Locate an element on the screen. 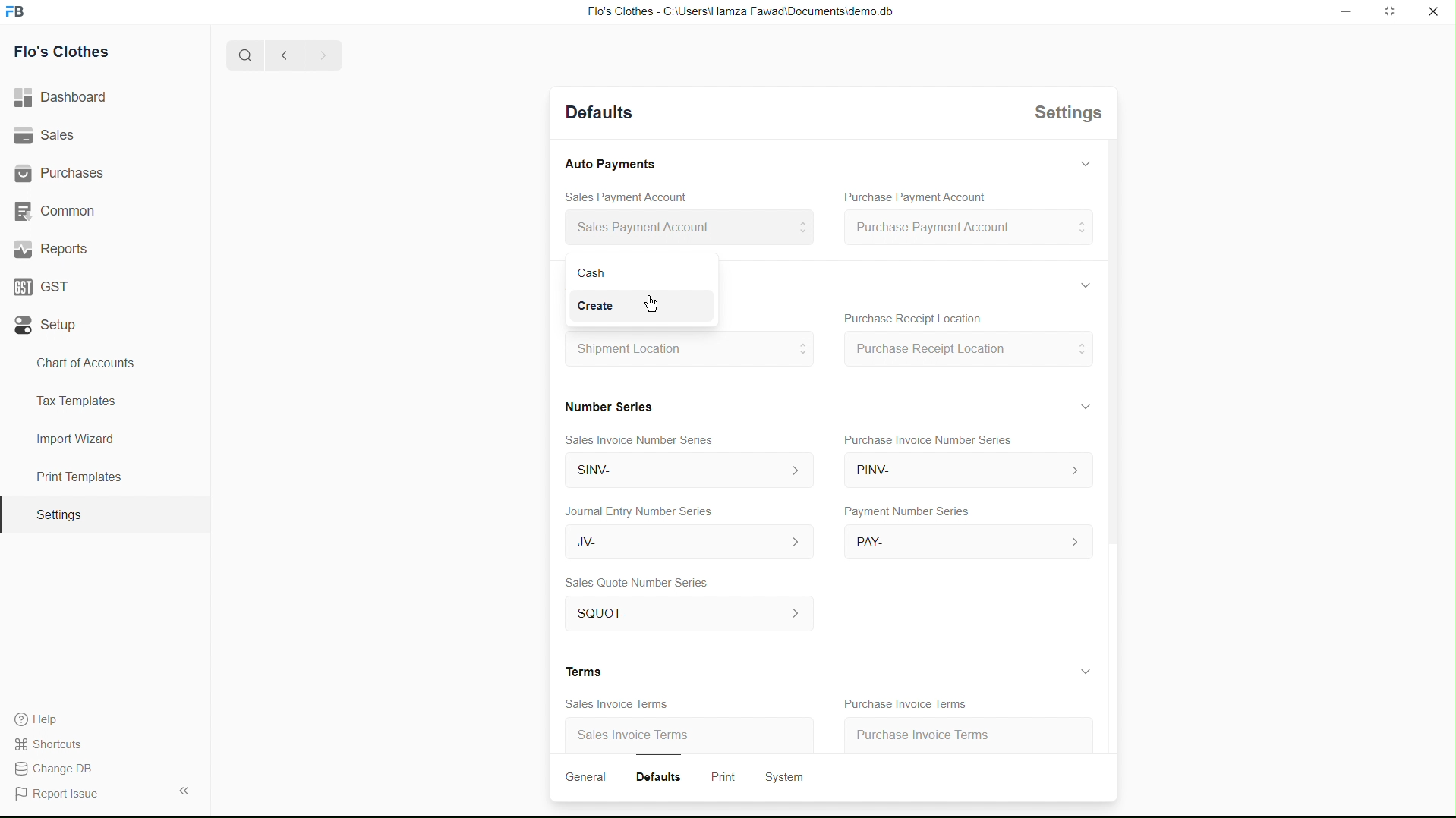 This screenshot has height=818, width=1456. Hide  is located at coordinates (1083, 670).